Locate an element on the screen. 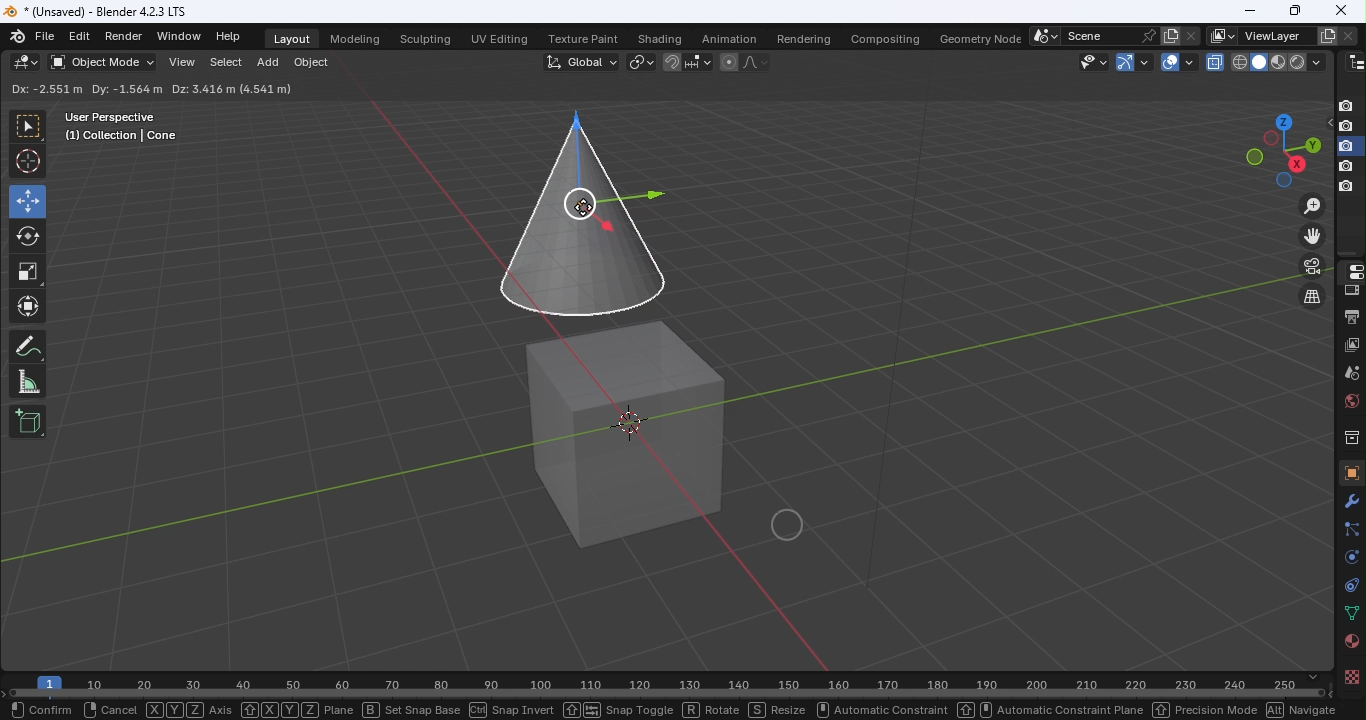 The width and height of the screenshot is (1366, 720). Switch the current view from perspective/orthographic projection is located at coordinates (1309, 298).